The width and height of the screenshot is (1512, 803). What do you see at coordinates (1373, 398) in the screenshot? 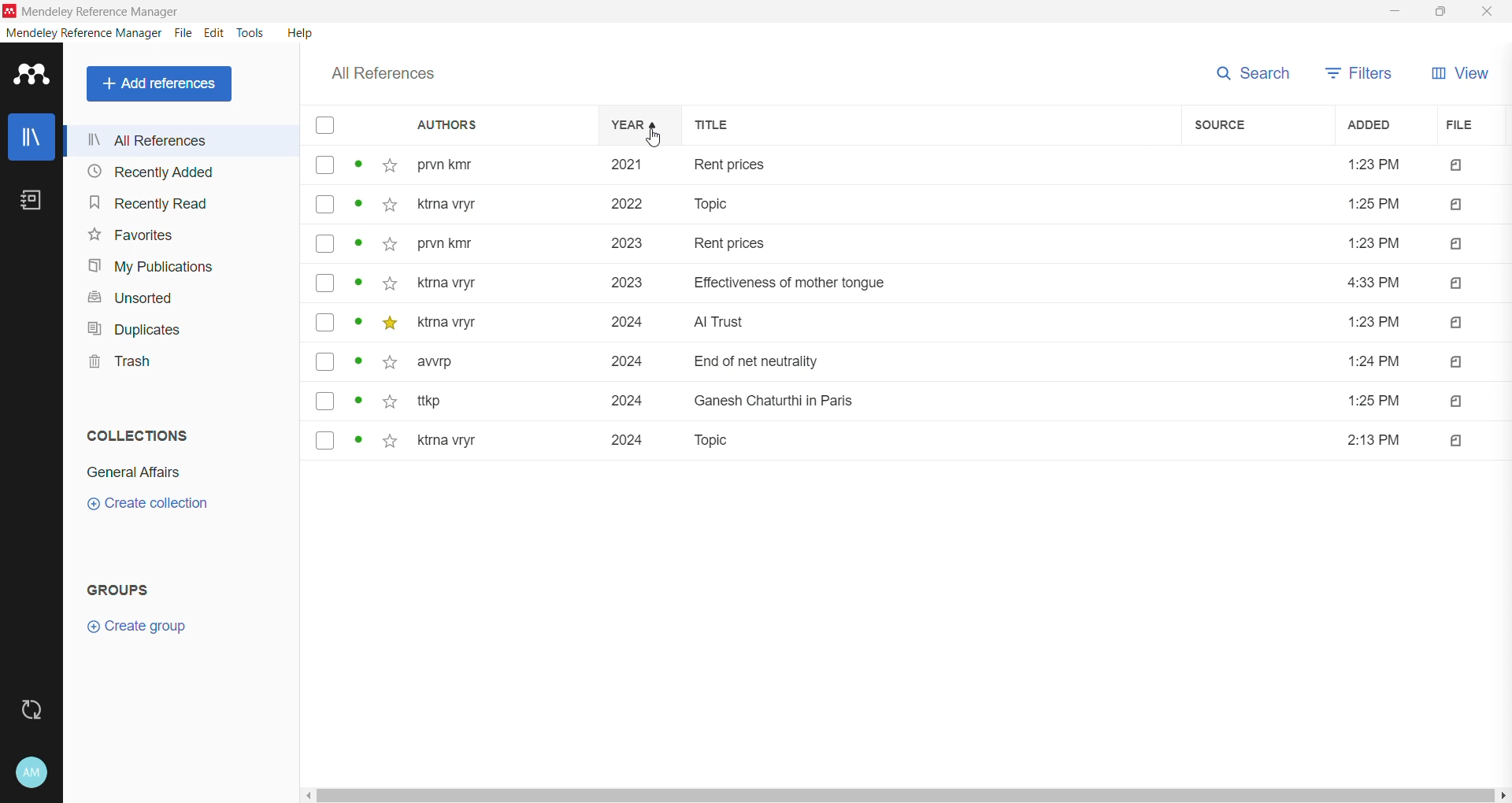
I see `1:25 PM` at bounding box center [1373, 398].